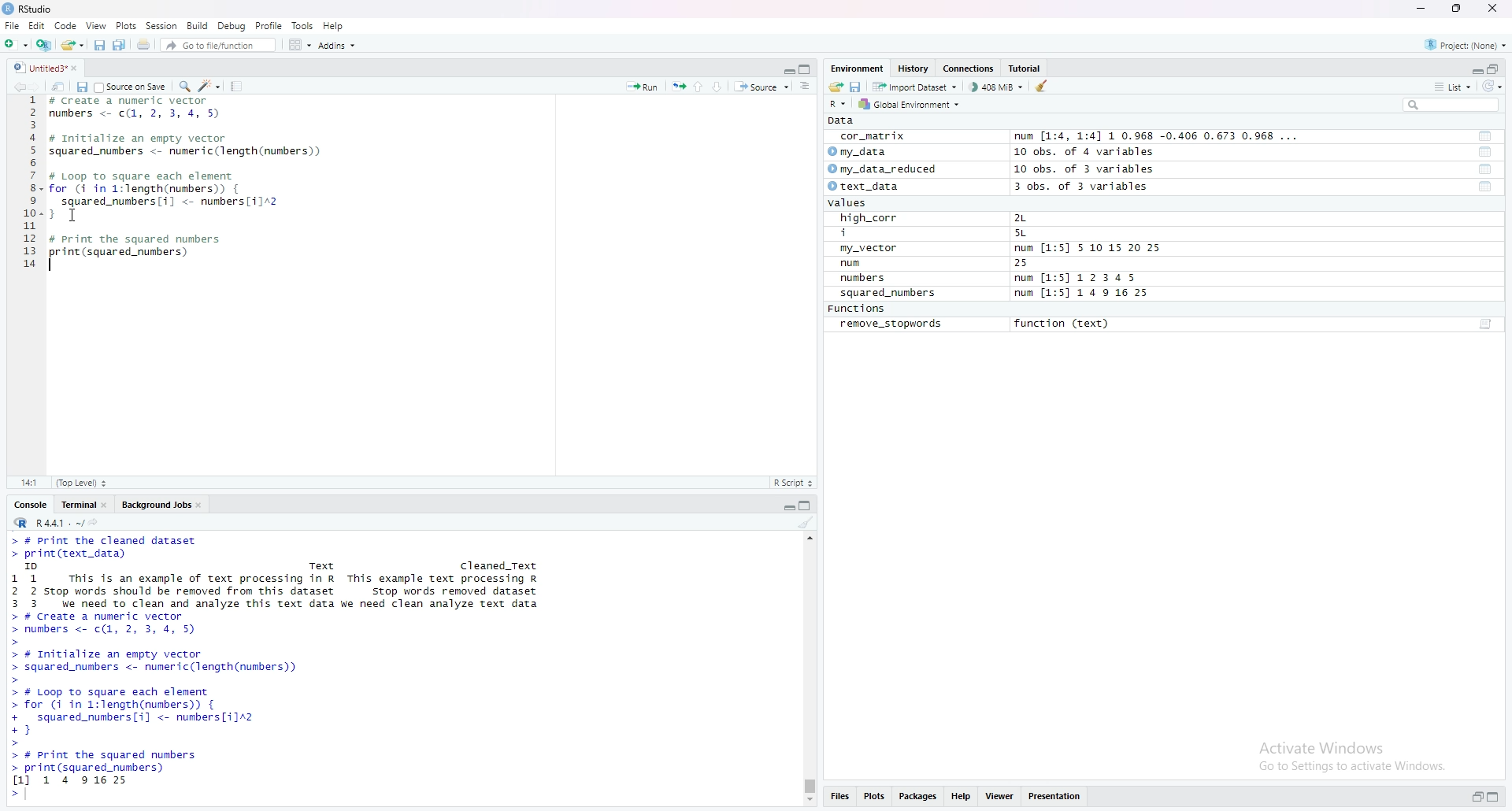 The width and height of the screenshot is (1512, 811). What do you see at coordinates (1158, 137) in the screenshot?
I see `num [1:4, 1:4] 1 0.968 -0.406 0.673 0.968 ...` at bounding box center [1158, 137].